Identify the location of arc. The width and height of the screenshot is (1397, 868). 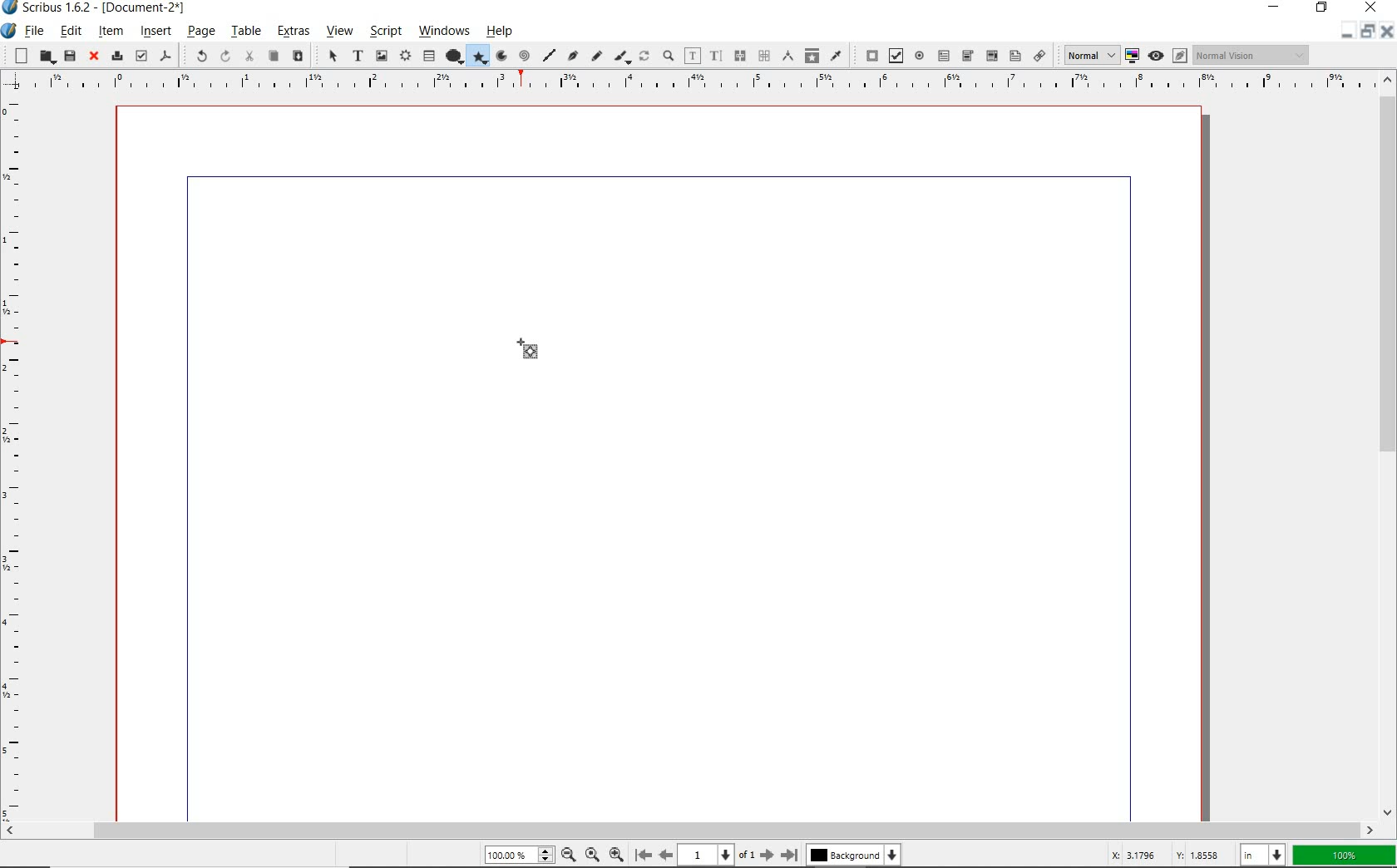
(501, 57).